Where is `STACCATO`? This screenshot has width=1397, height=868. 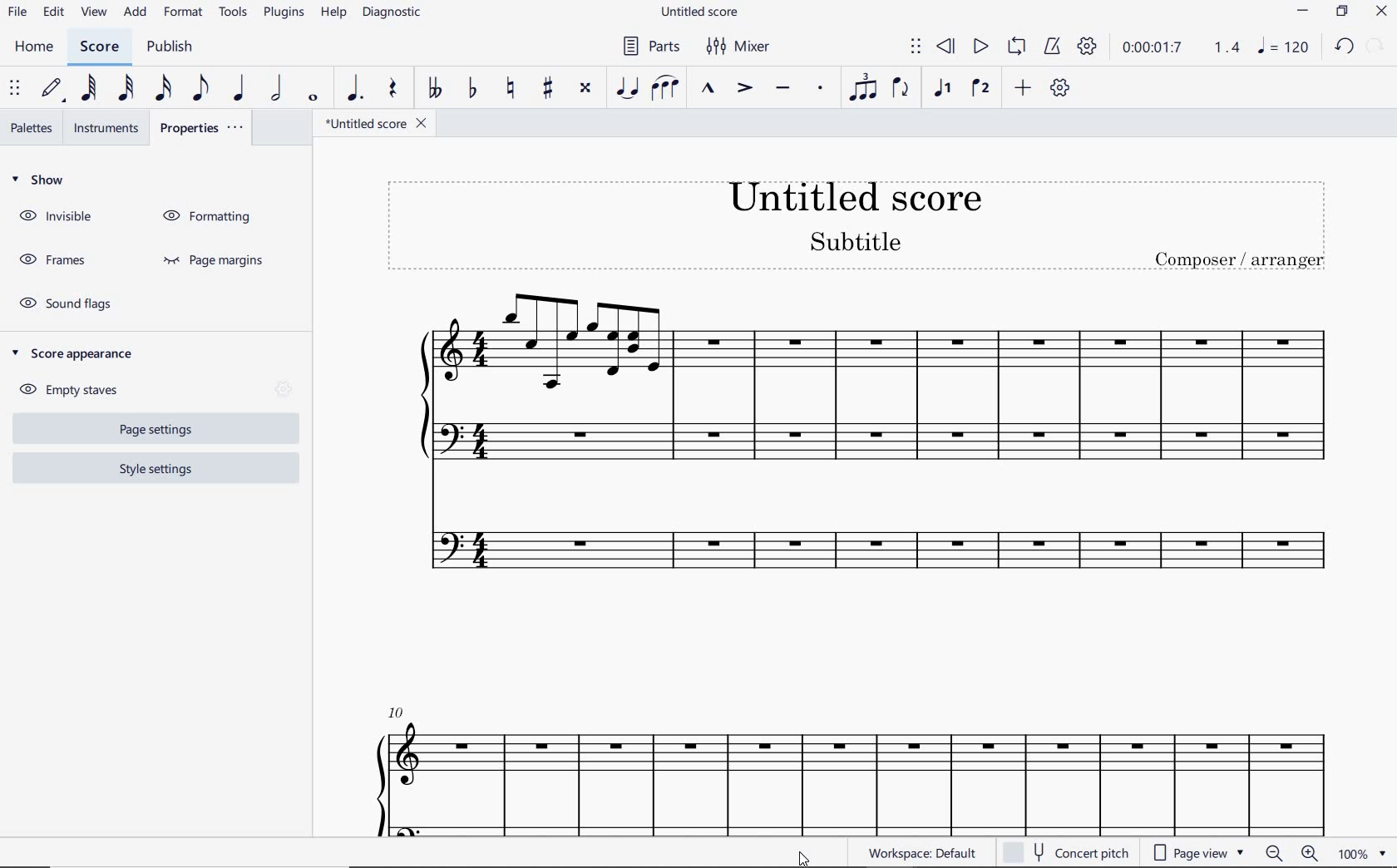
STACCATO is located at coordinates (821, 91).